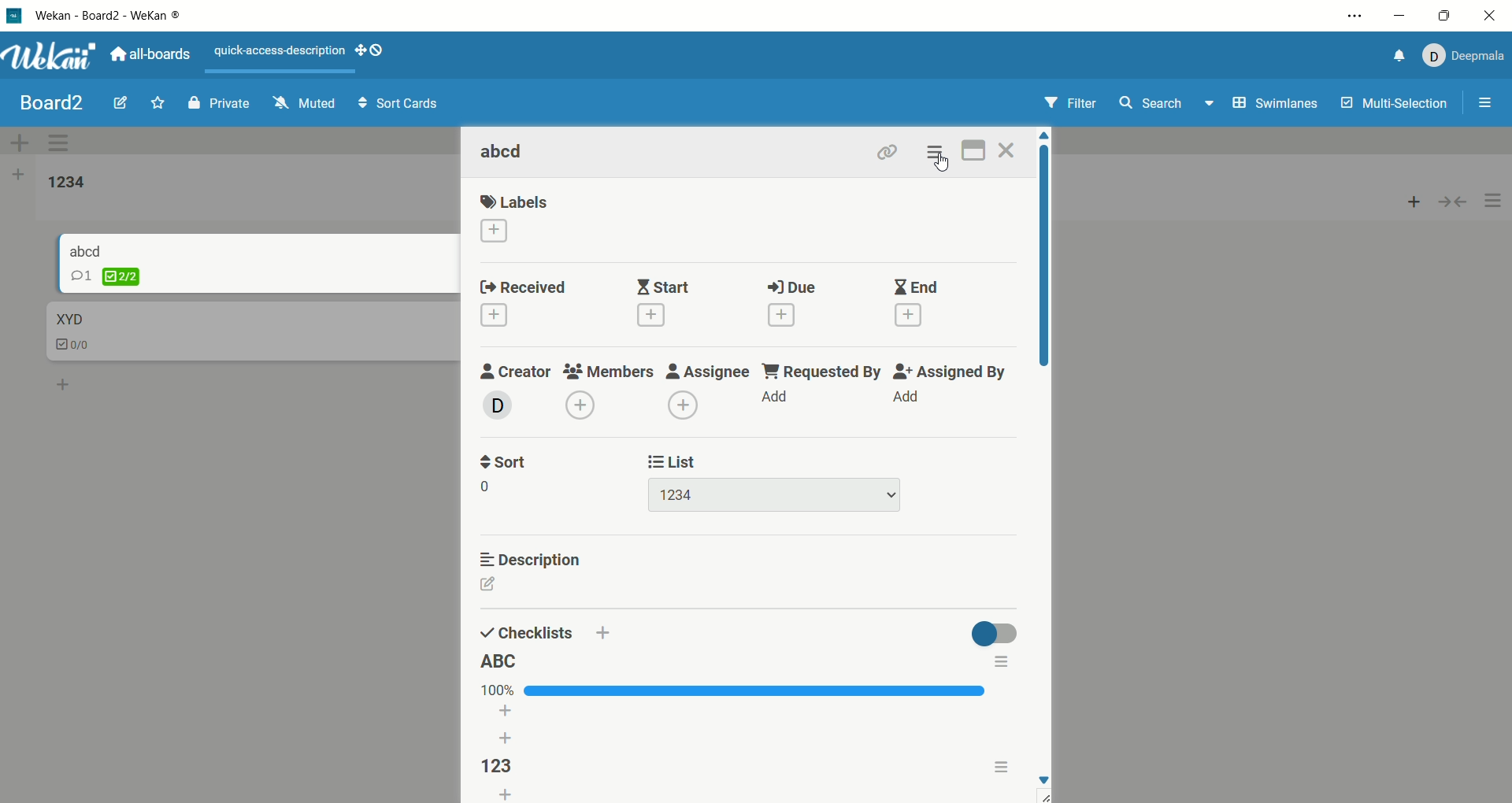 This screenshot has height=803, width=1512. I want to click on options, so click(1354, 15).